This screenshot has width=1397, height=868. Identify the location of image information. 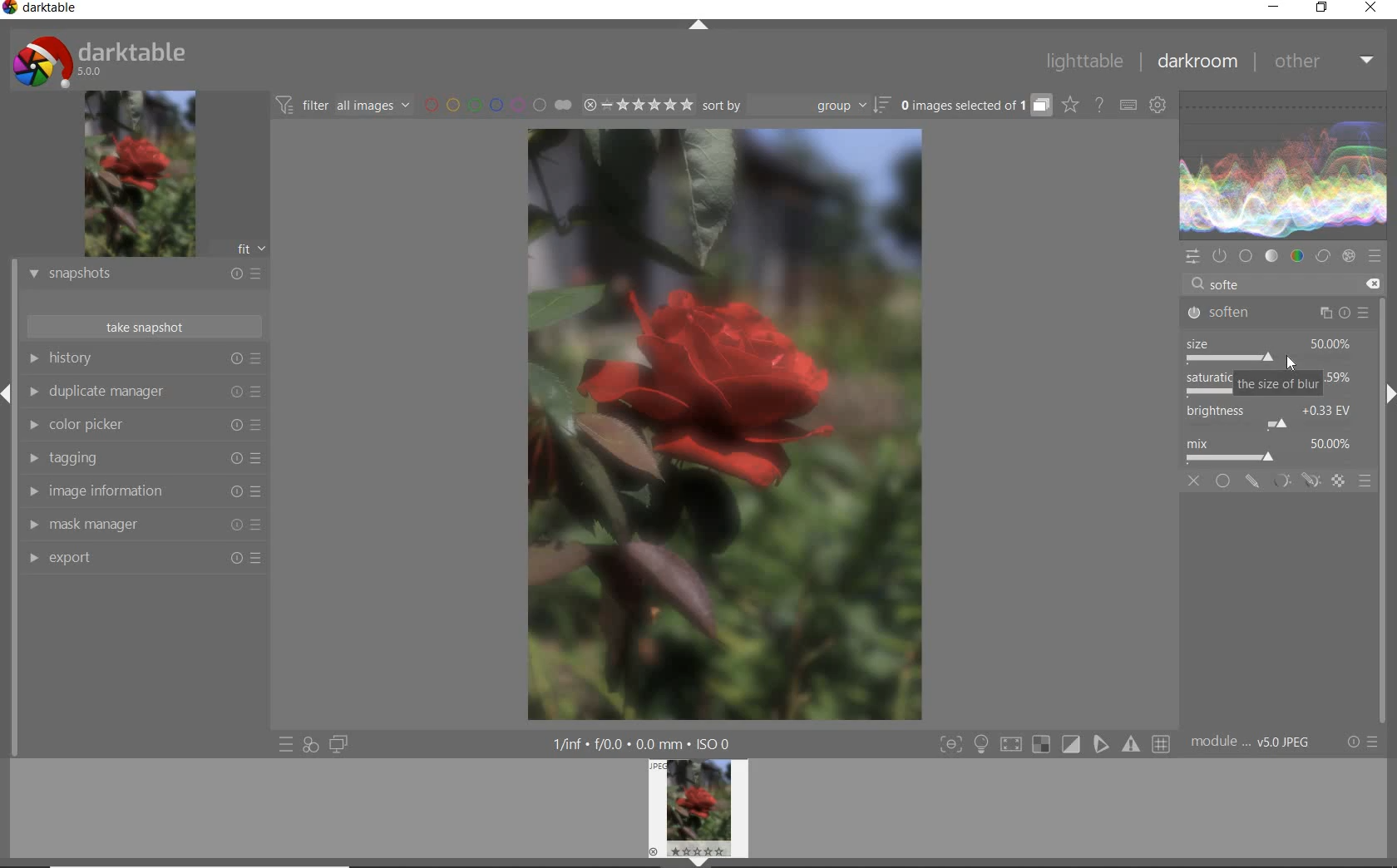
(142, 491).